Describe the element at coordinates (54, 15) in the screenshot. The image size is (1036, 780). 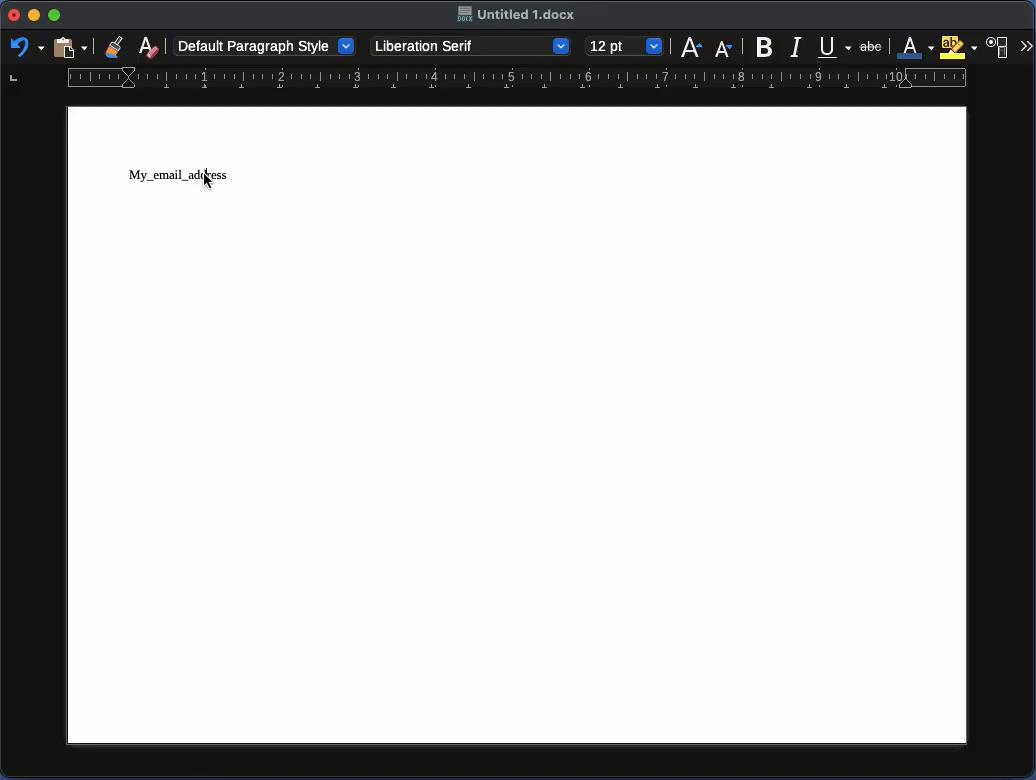
I see `Maximize` at that location.